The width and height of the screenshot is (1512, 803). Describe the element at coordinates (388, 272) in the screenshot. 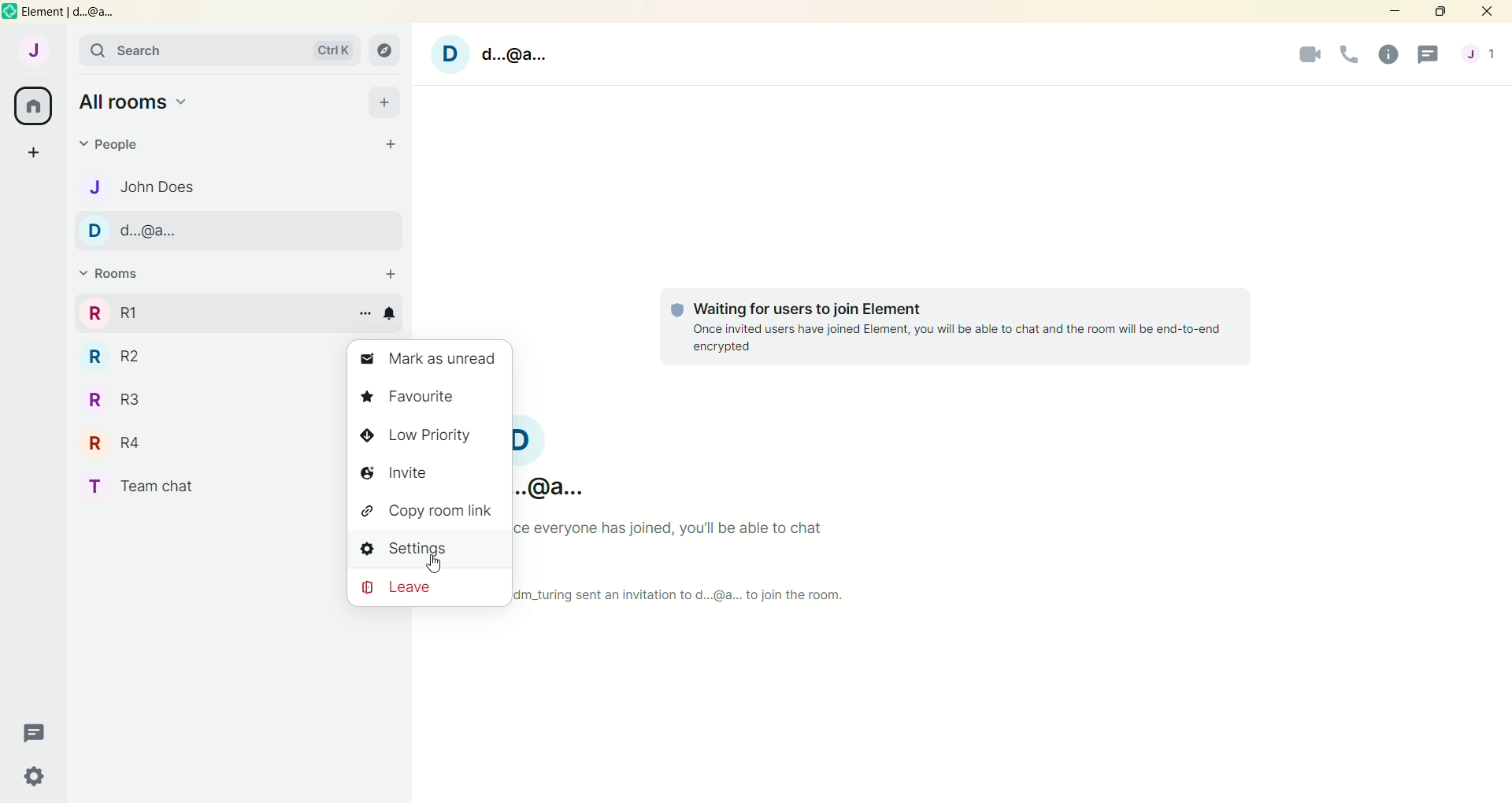

I see `add` at that location.